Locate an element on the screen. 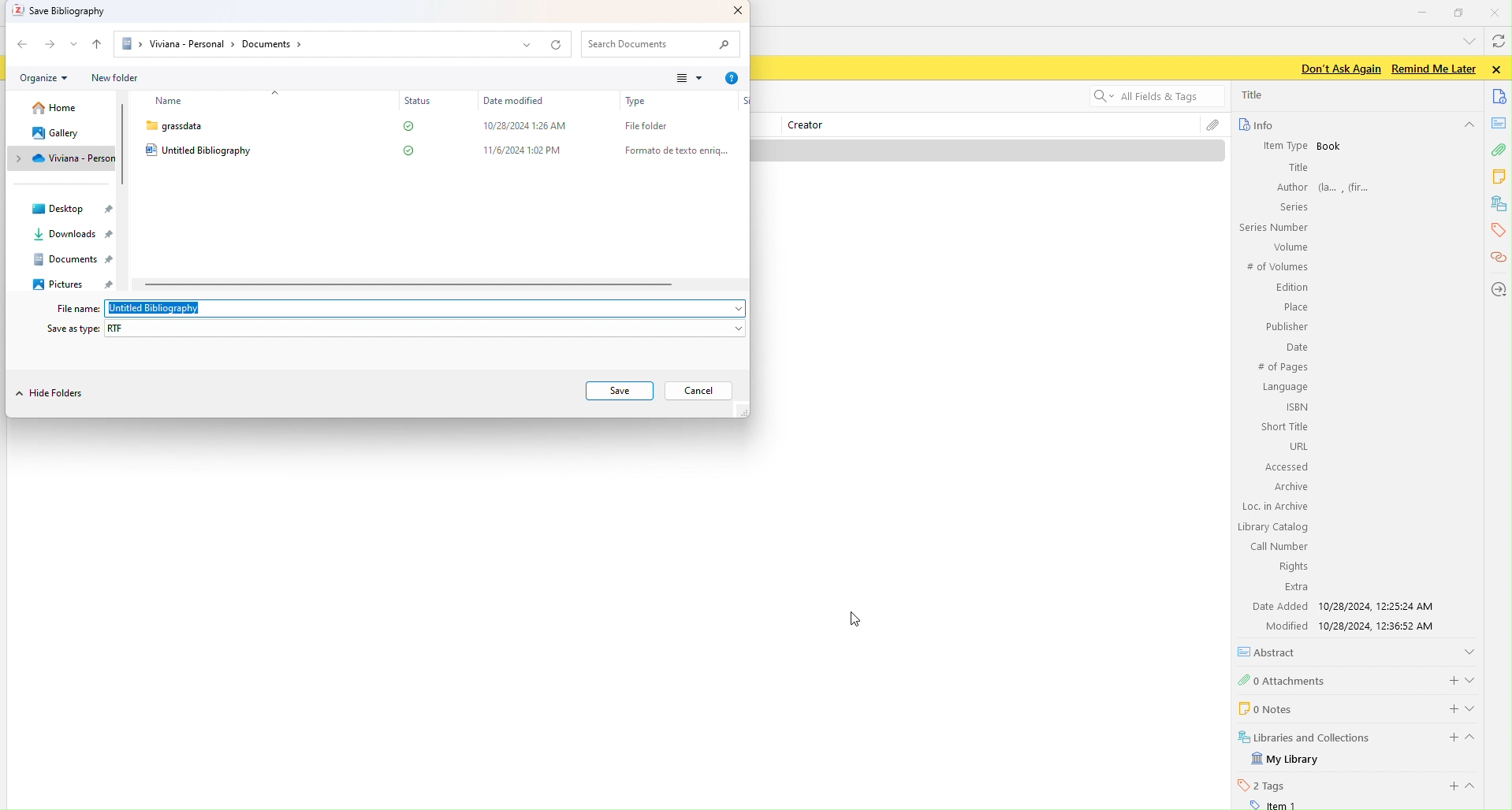 This screenshot has height=810, width=1512. Publisher is located at coordinates (1285, 326).